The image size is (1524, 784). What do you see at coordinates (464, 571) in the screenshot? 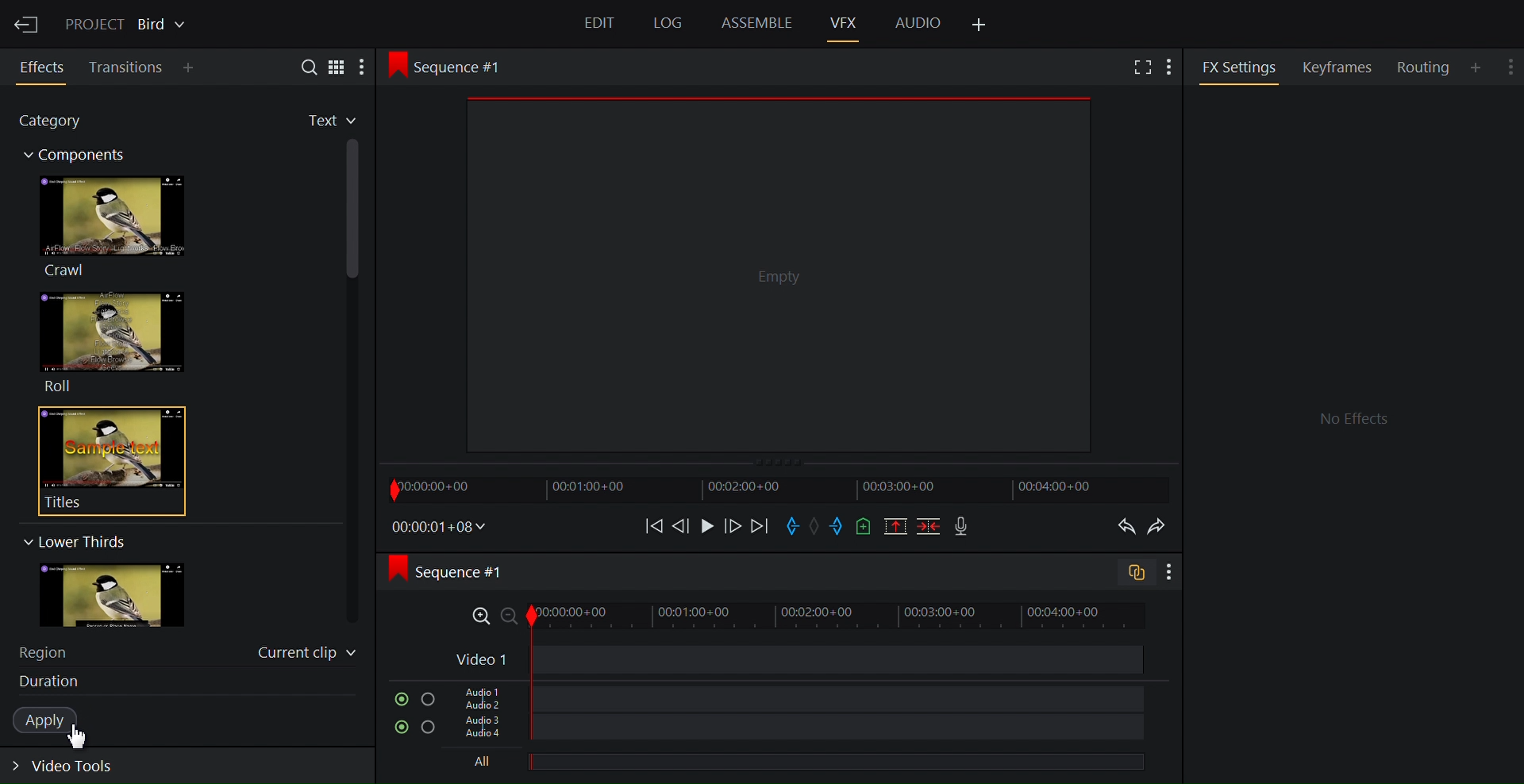
I see `Sequence` at bounding box center [464, 571].